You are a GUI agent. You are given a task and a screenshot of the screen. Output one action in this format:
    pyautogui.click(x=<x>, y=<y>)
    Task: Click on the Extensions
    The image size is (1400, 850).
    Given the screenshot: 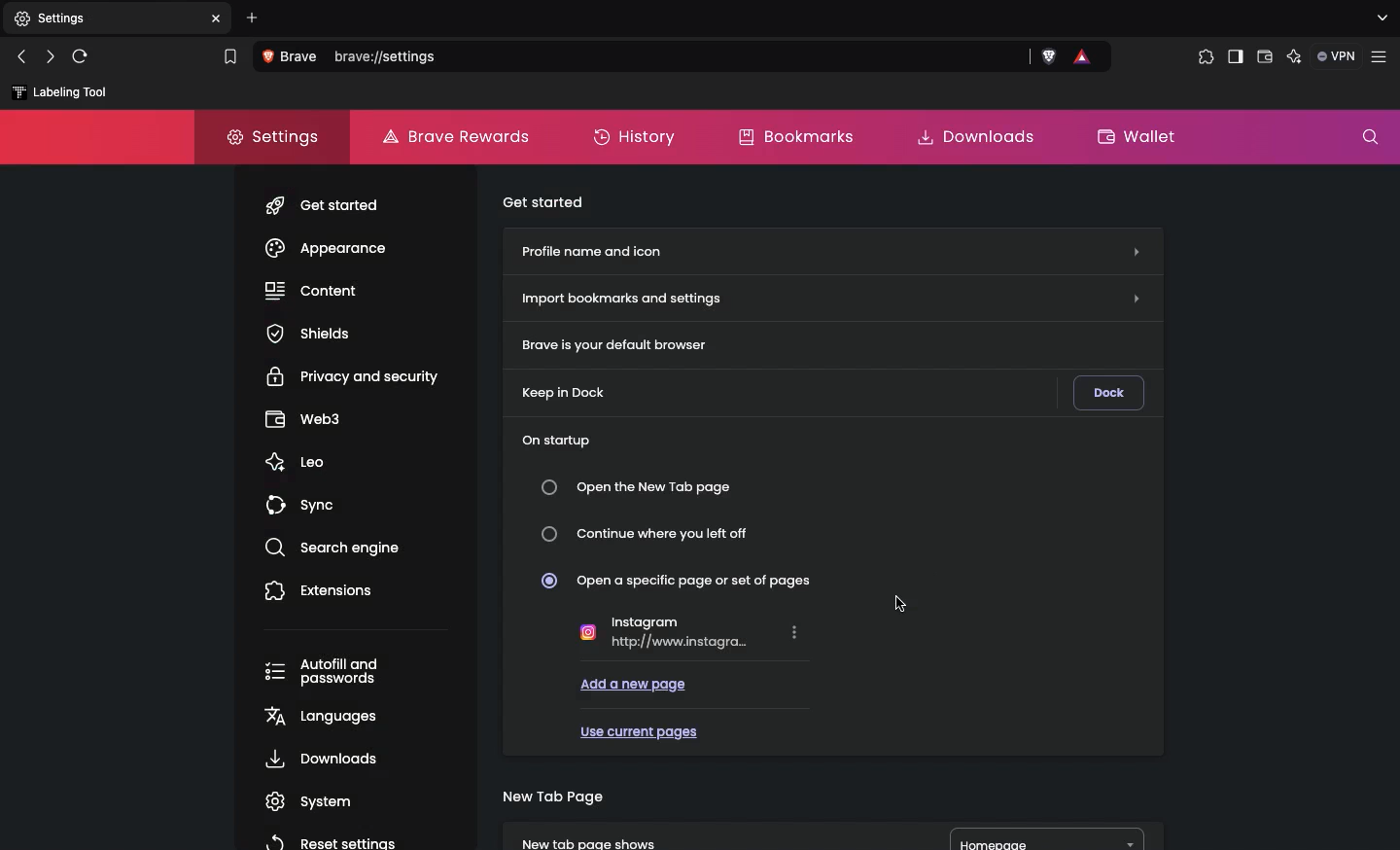 What is the action you would take?
    pyautogui.click(x=320, y=589)
    